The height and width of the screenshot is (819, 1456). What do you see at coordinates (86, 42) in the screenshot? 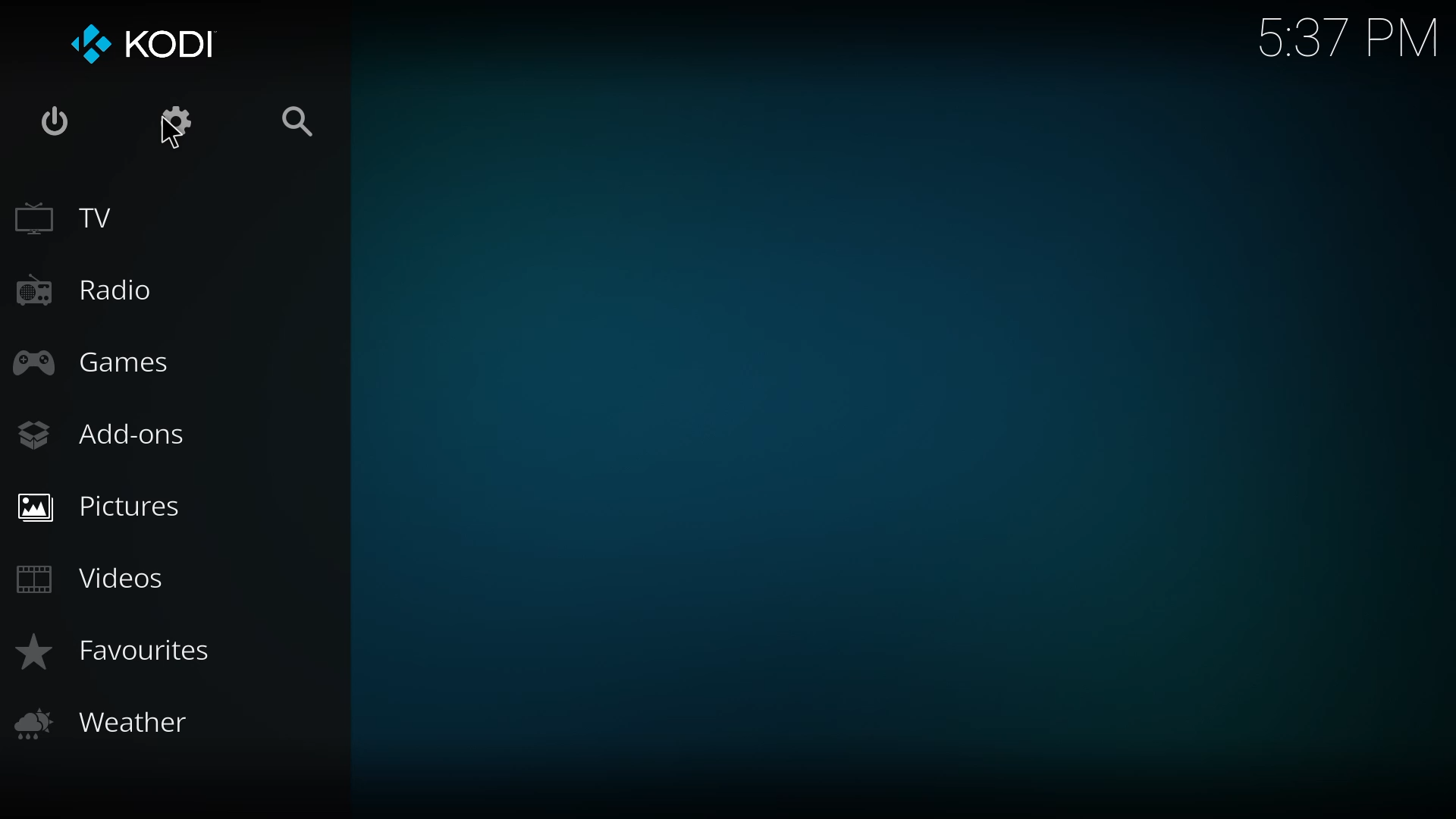
I see `kodi logo` at bounding box center [86, 42].